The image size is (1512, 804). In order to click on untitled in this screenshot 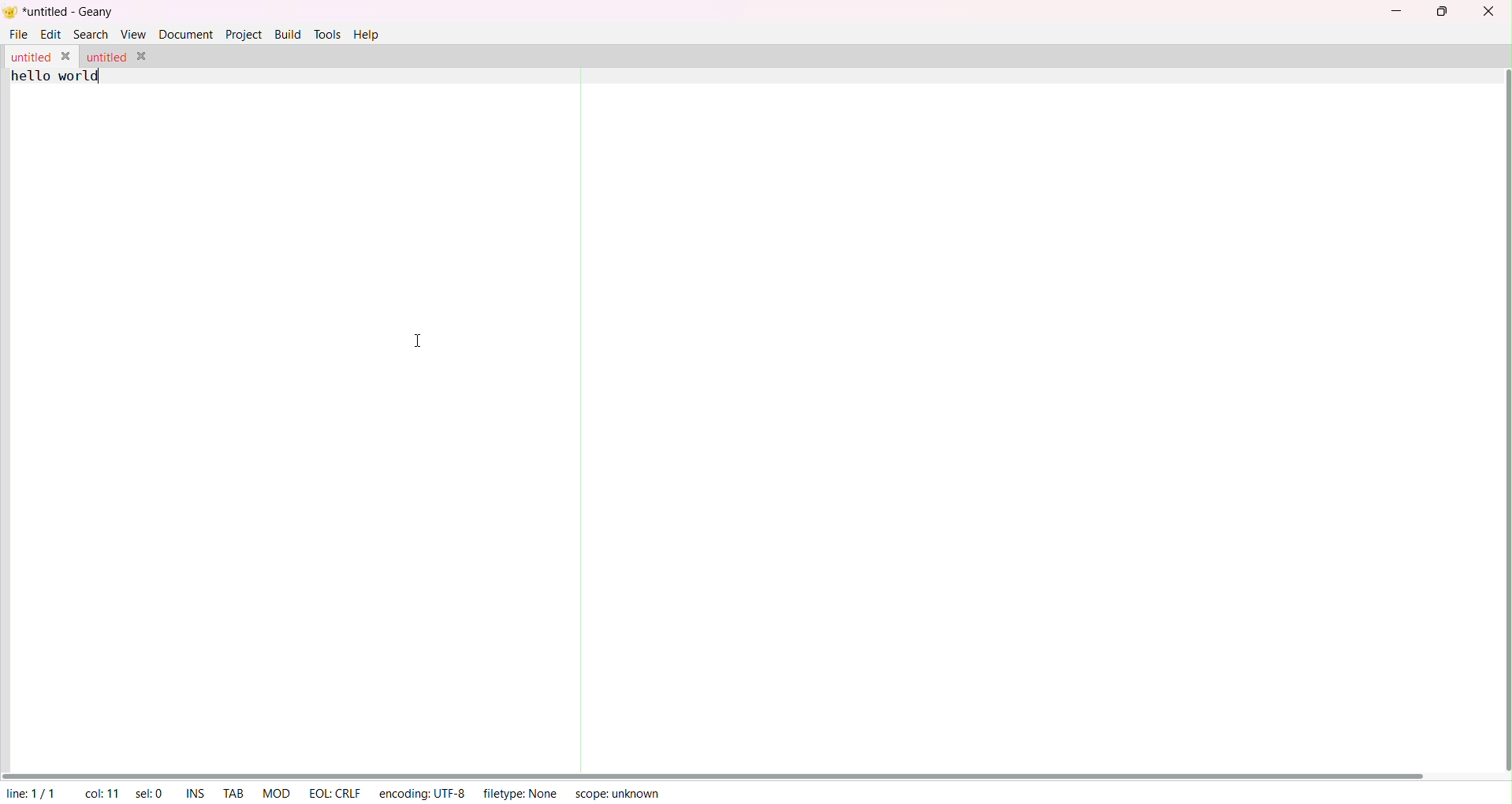, I will do `click(29, 58)`.